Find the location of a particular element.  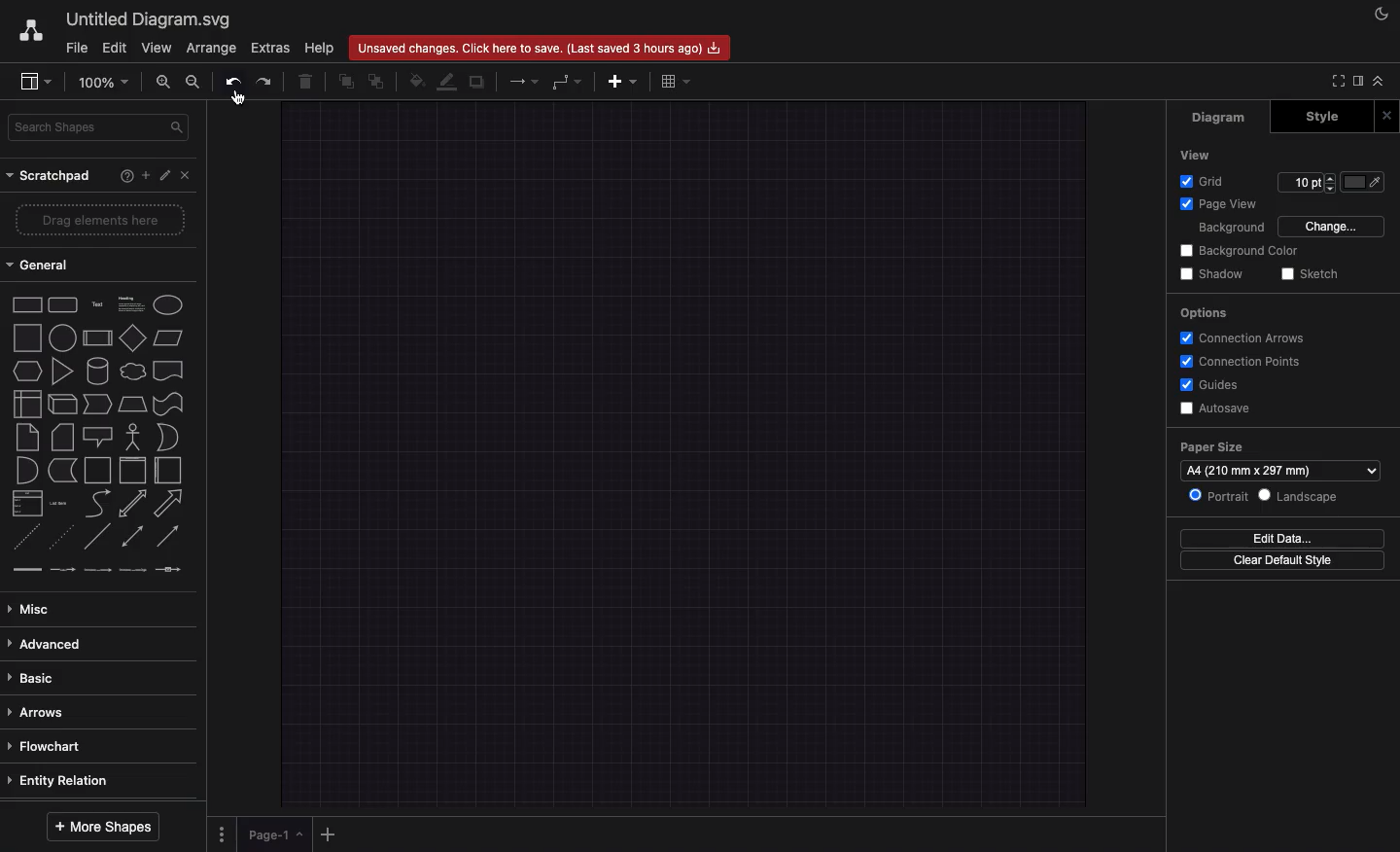

Help is located at coordinates (319, 45).